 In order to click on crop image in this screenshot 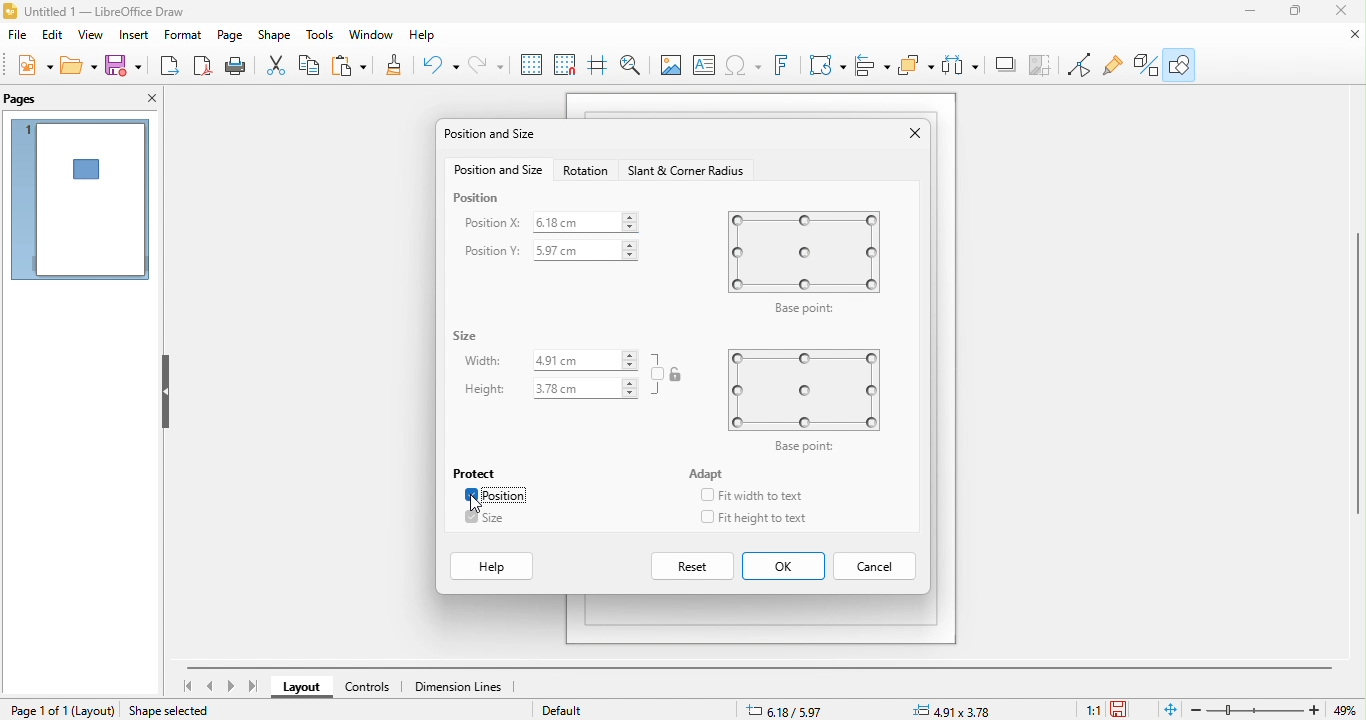, I will do `click(1005, 65)`.